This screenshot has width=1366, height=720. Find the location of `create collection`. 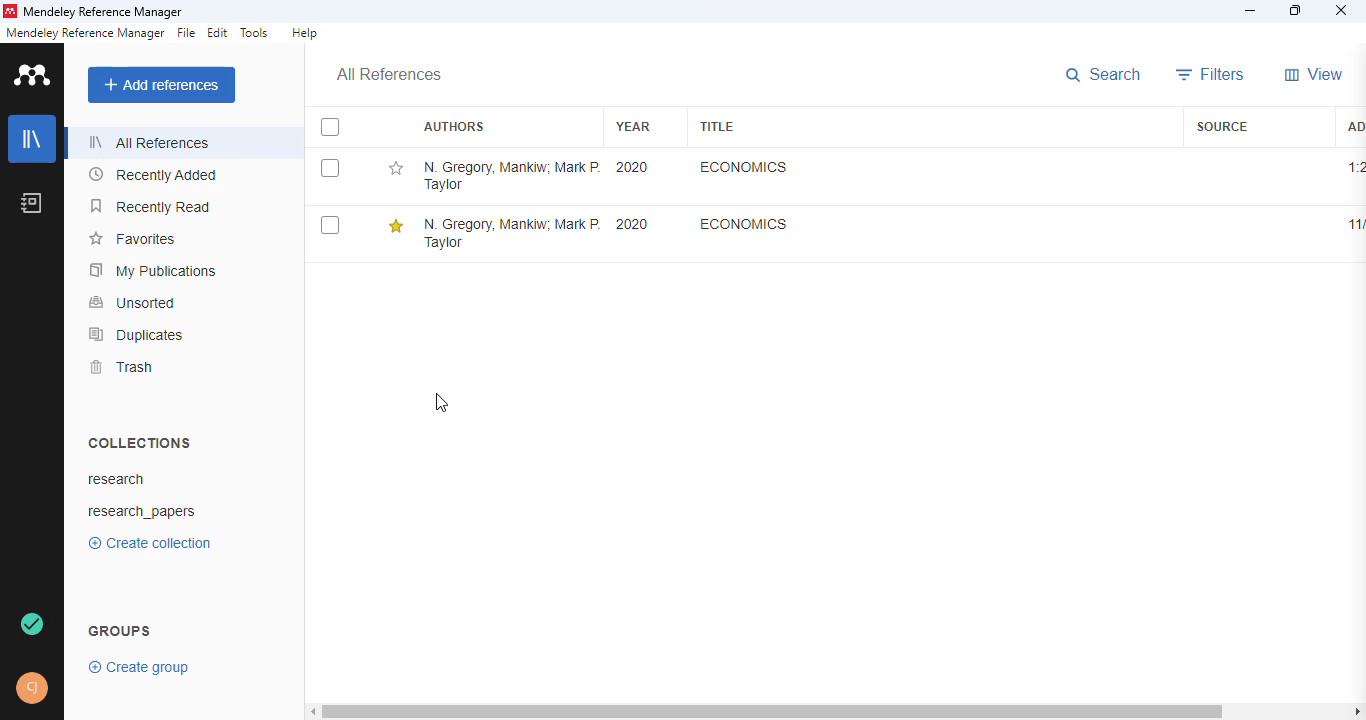

create collection is located at coordinates (150, 543).